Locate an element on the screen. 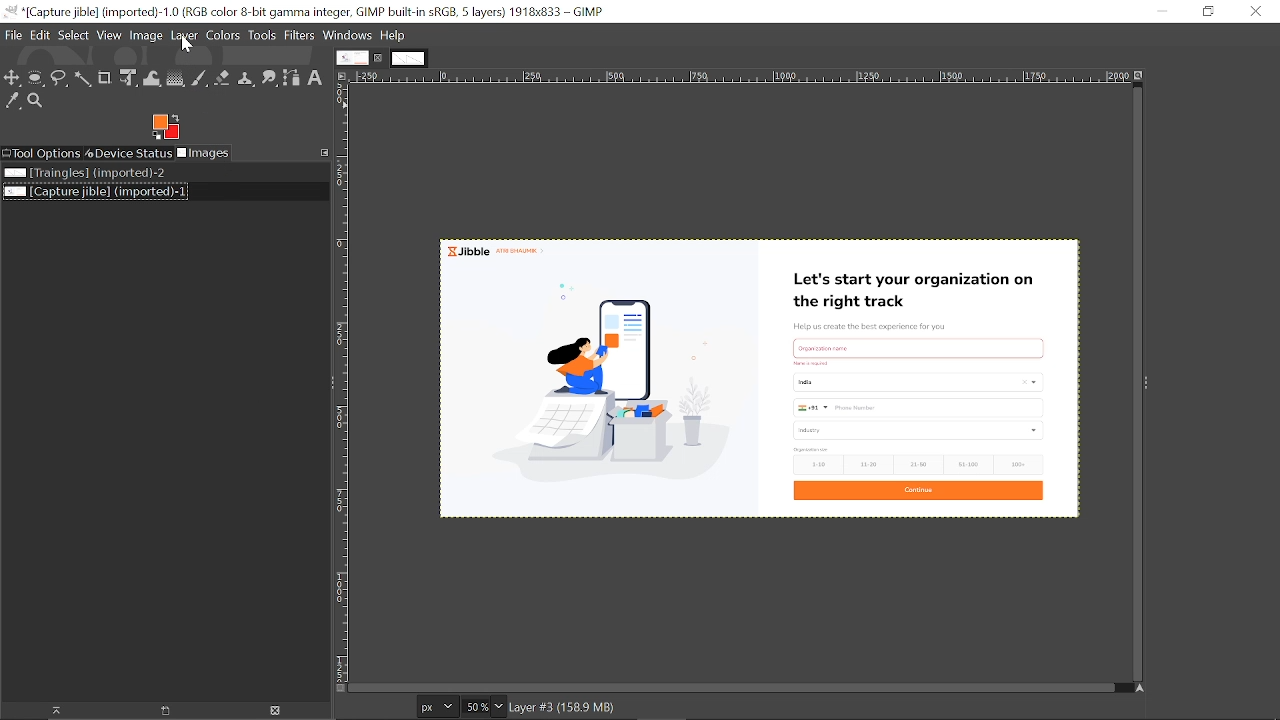  Zoom image when window size changes is located at coordinates (1140, 74).